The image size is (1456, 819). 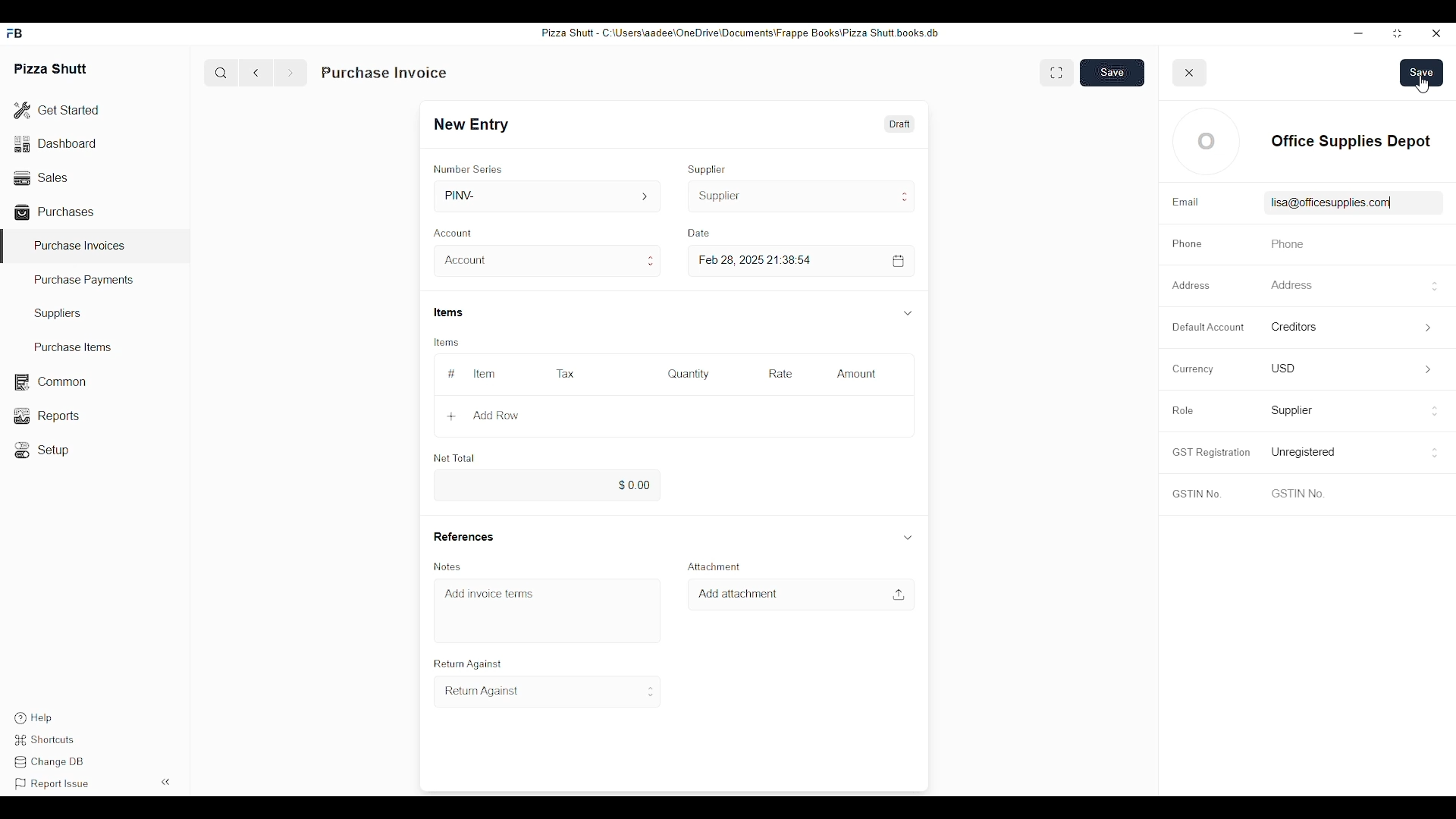 I want to click on Items, so click(x=444, y=343).